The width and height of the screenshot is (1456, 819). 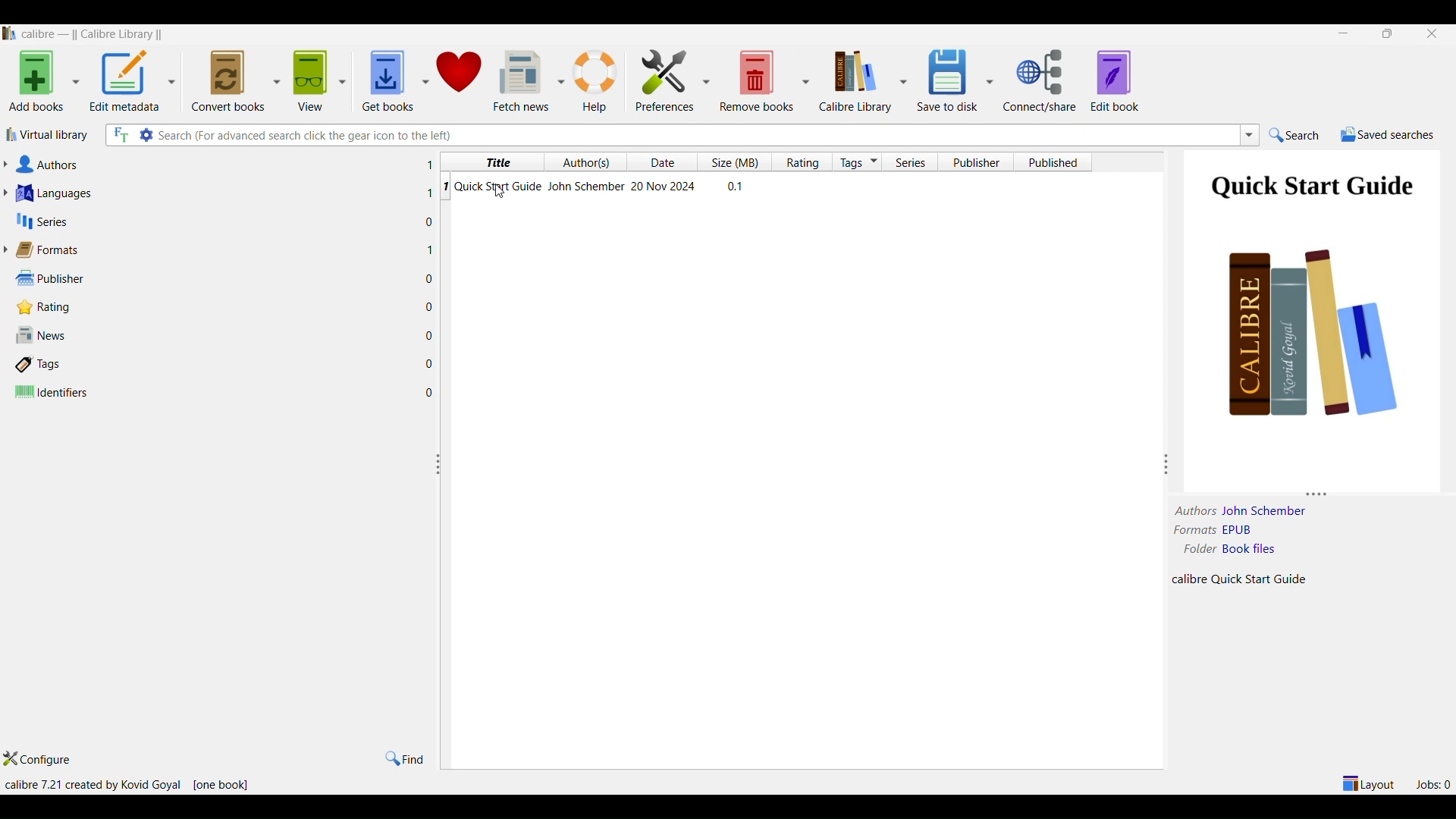 What do you see at coordinates (1275, 532) in the screenshot?
I see `EPUB` at bounding box center [1275, 532].